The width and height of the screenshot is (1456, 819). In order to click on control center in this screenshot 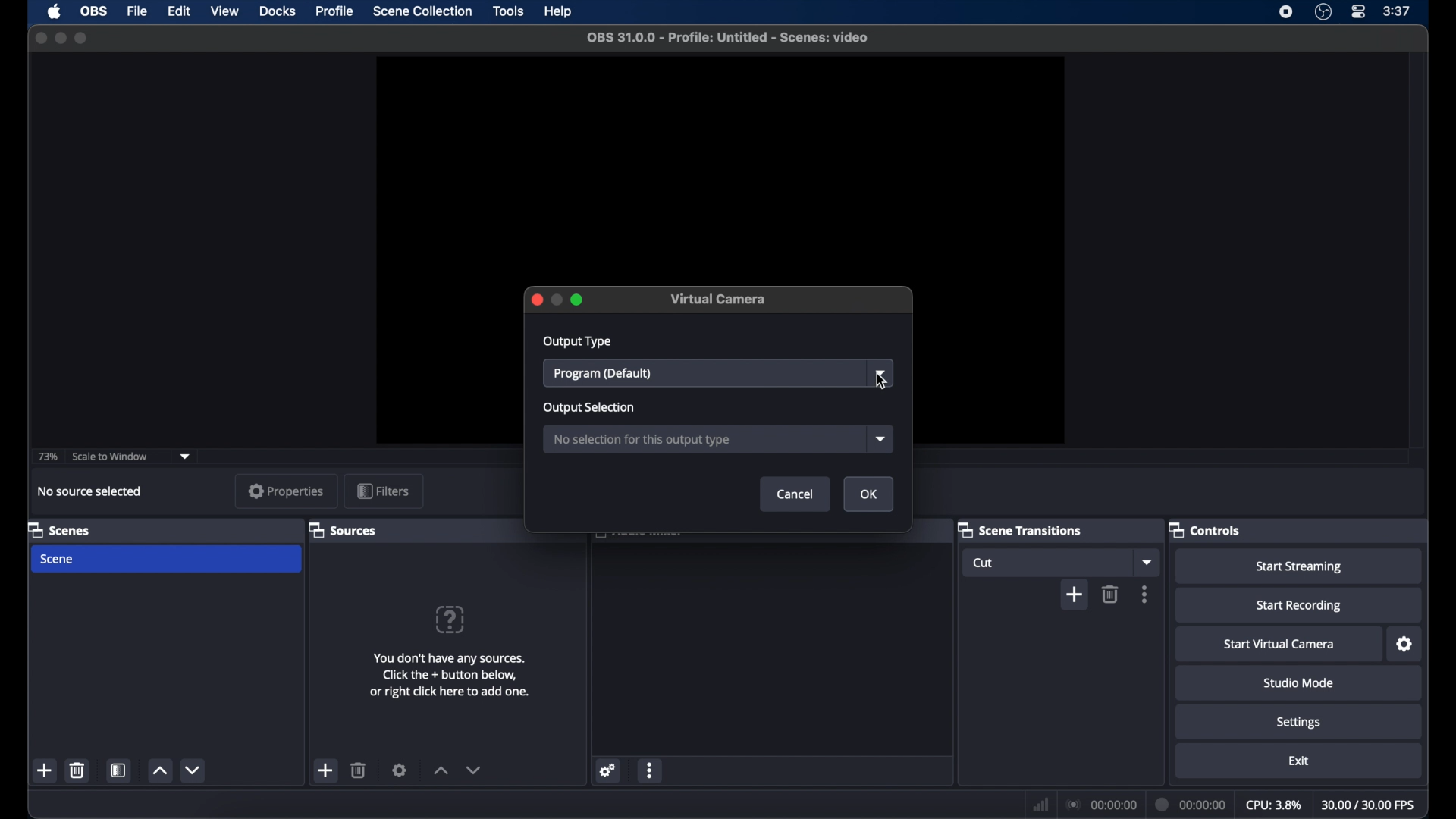, I will do `click(1357, 12)`.